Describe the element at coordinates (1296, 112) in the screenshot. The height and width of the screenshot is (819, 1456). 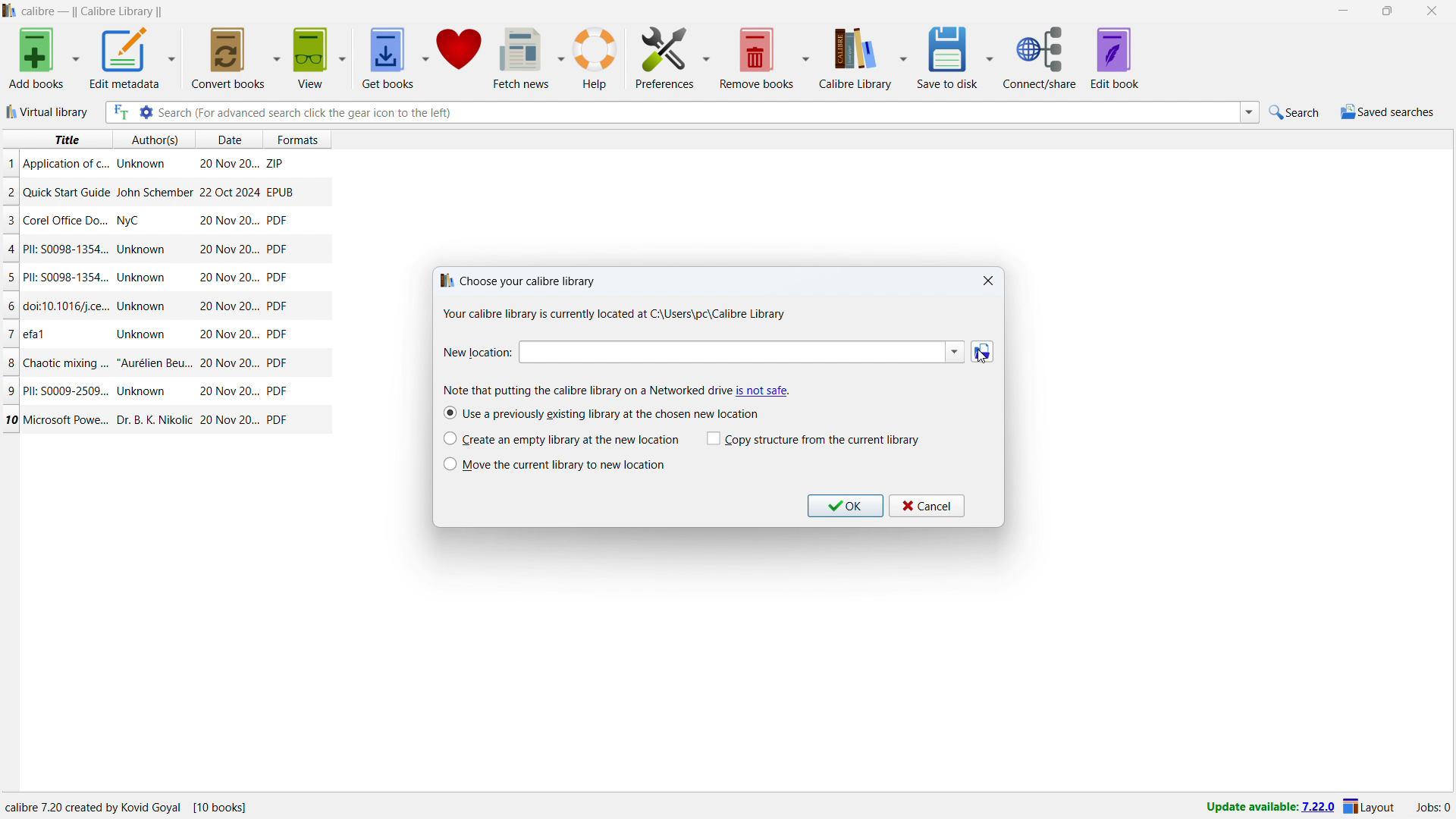
I see `quick search` at that location.